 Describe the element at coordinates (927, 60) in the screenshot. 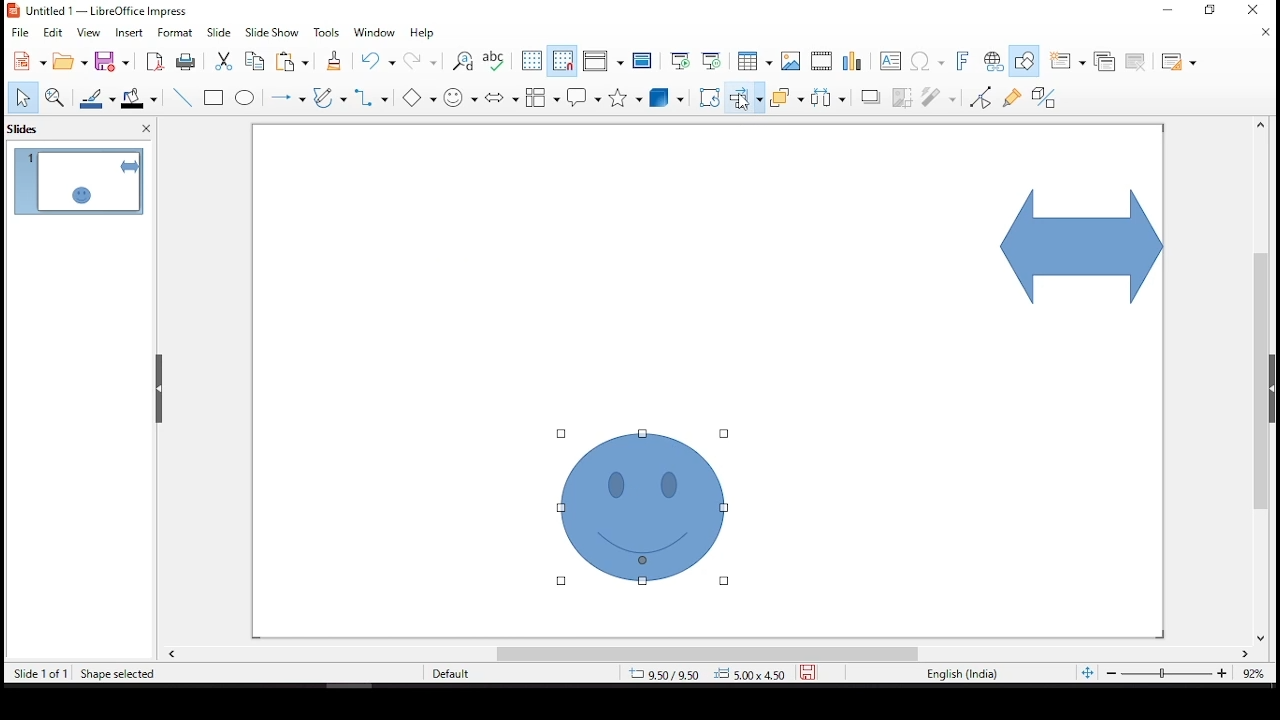

I see `insert special characters` at that location.